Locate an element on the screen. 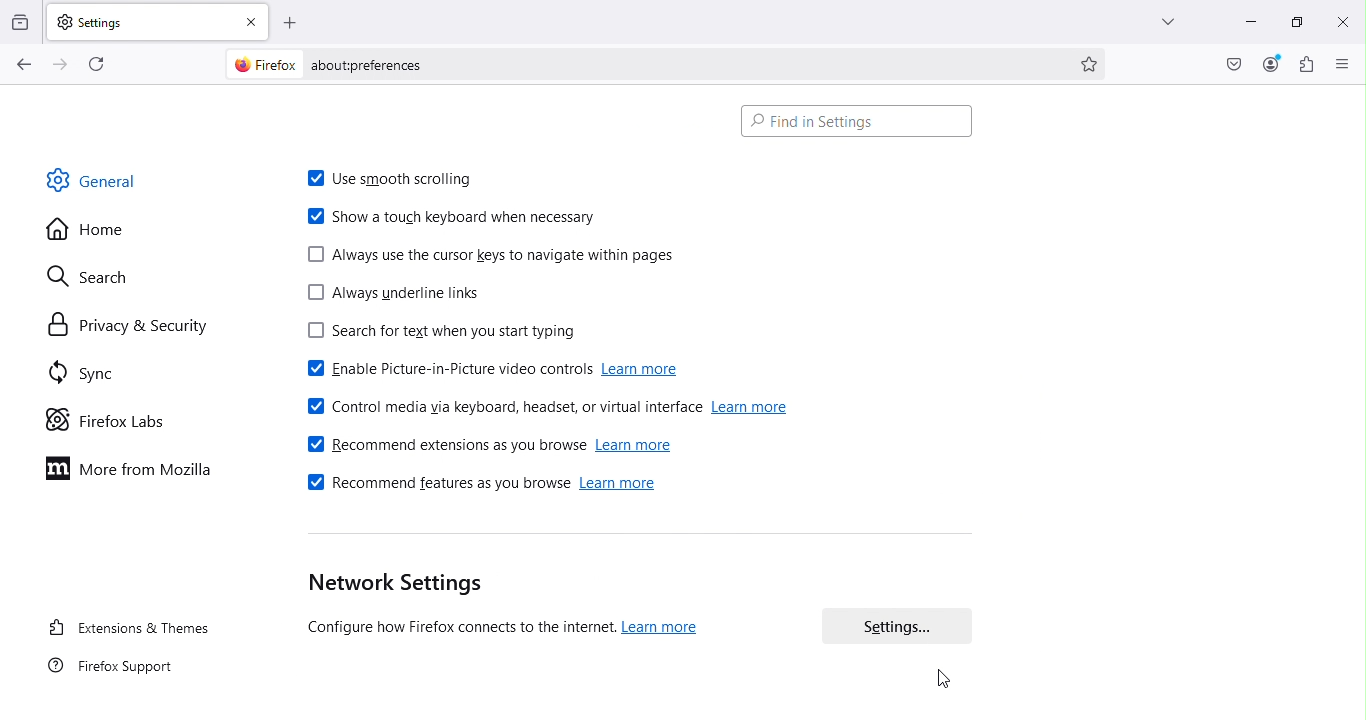  Privacy and security is located at coordinates (119, 324).